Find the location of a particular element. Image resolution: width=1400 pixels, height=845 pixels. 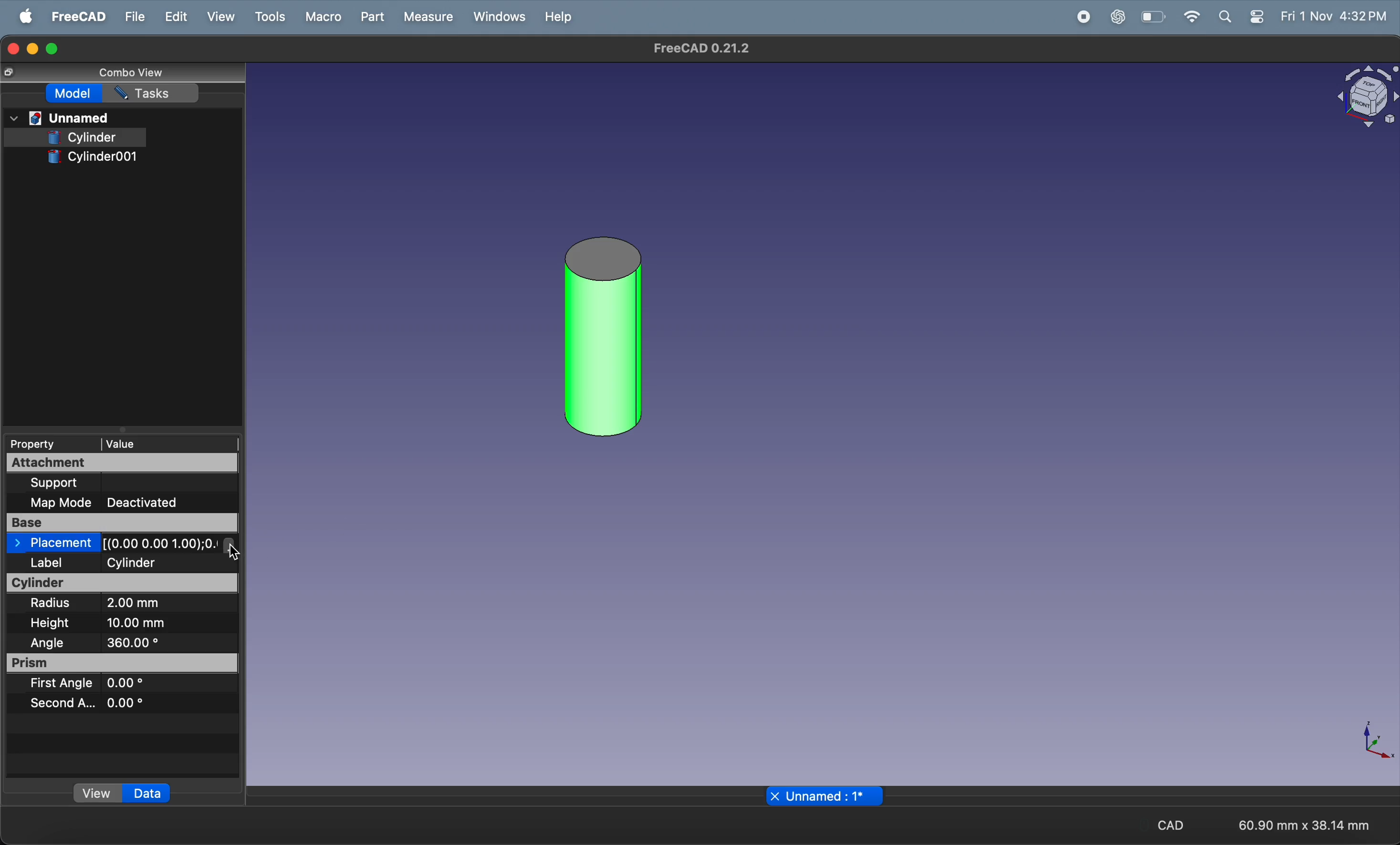

file is located at coordinates (132, 17).